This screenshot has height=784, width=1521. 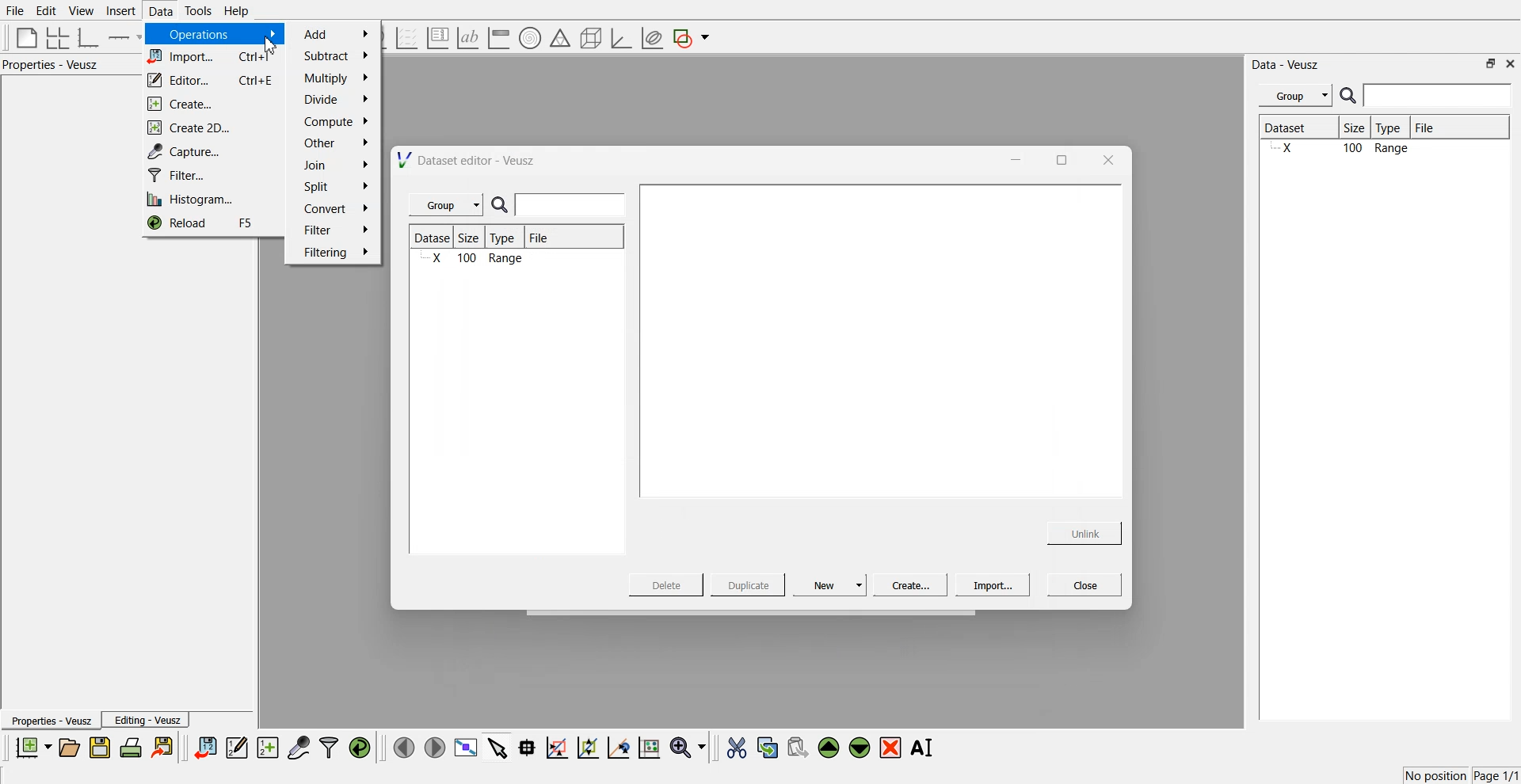 I want to click on Join, so click(x=337, y=167).